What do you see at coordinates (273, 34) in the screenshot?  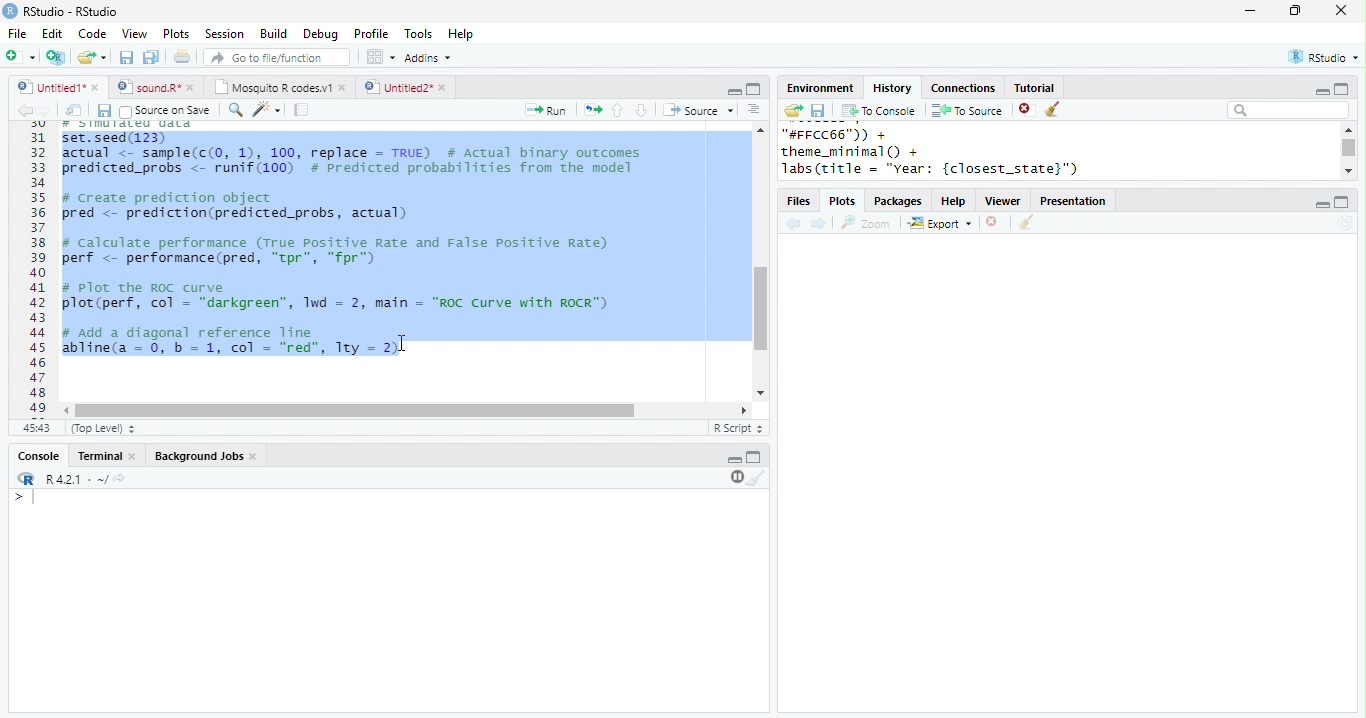 I see `Build` at bounding box center [273, 34].